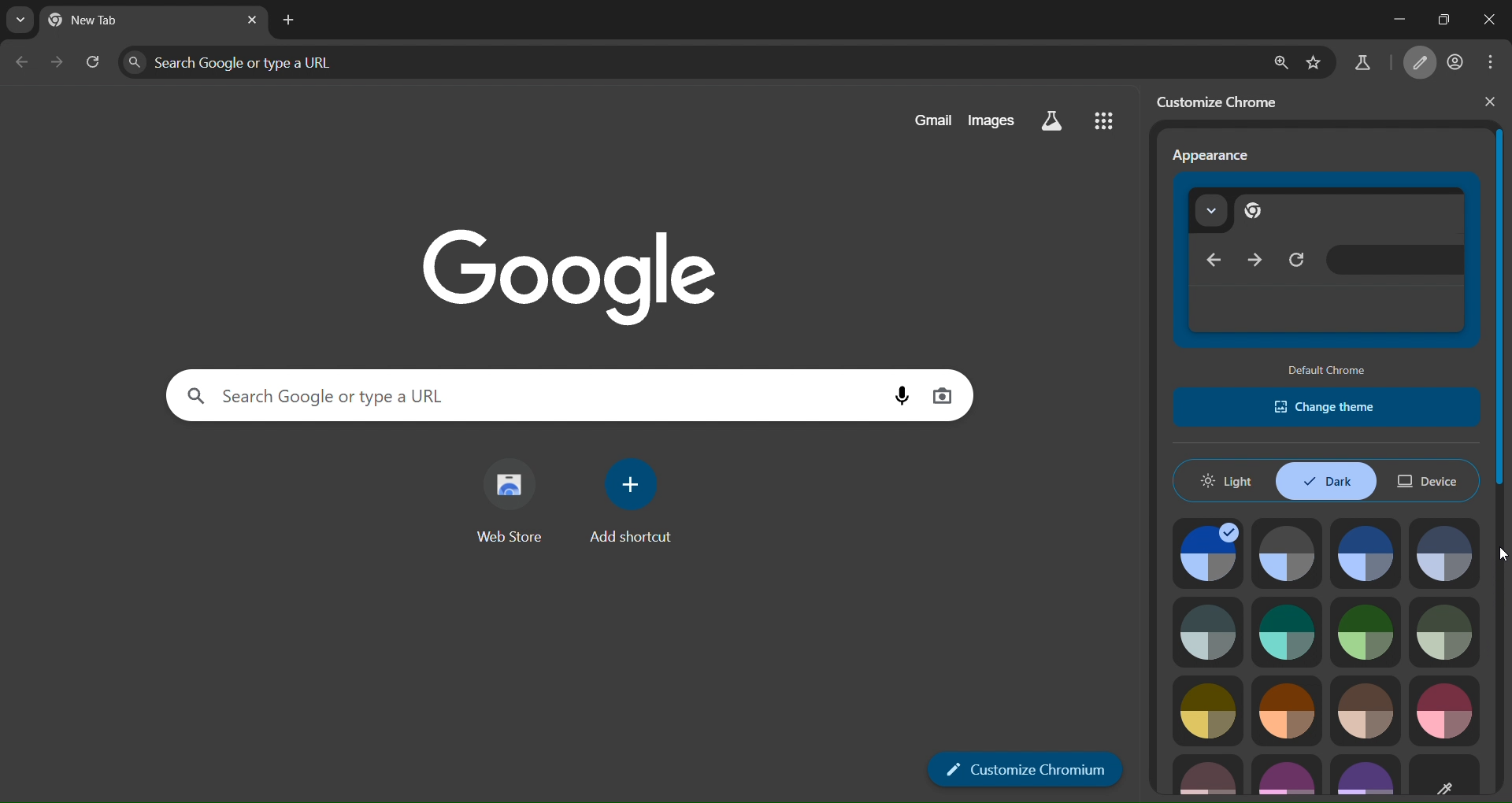 This screenshot has height=803, width=1512. I want to click on go back one page, so click(22, 61).